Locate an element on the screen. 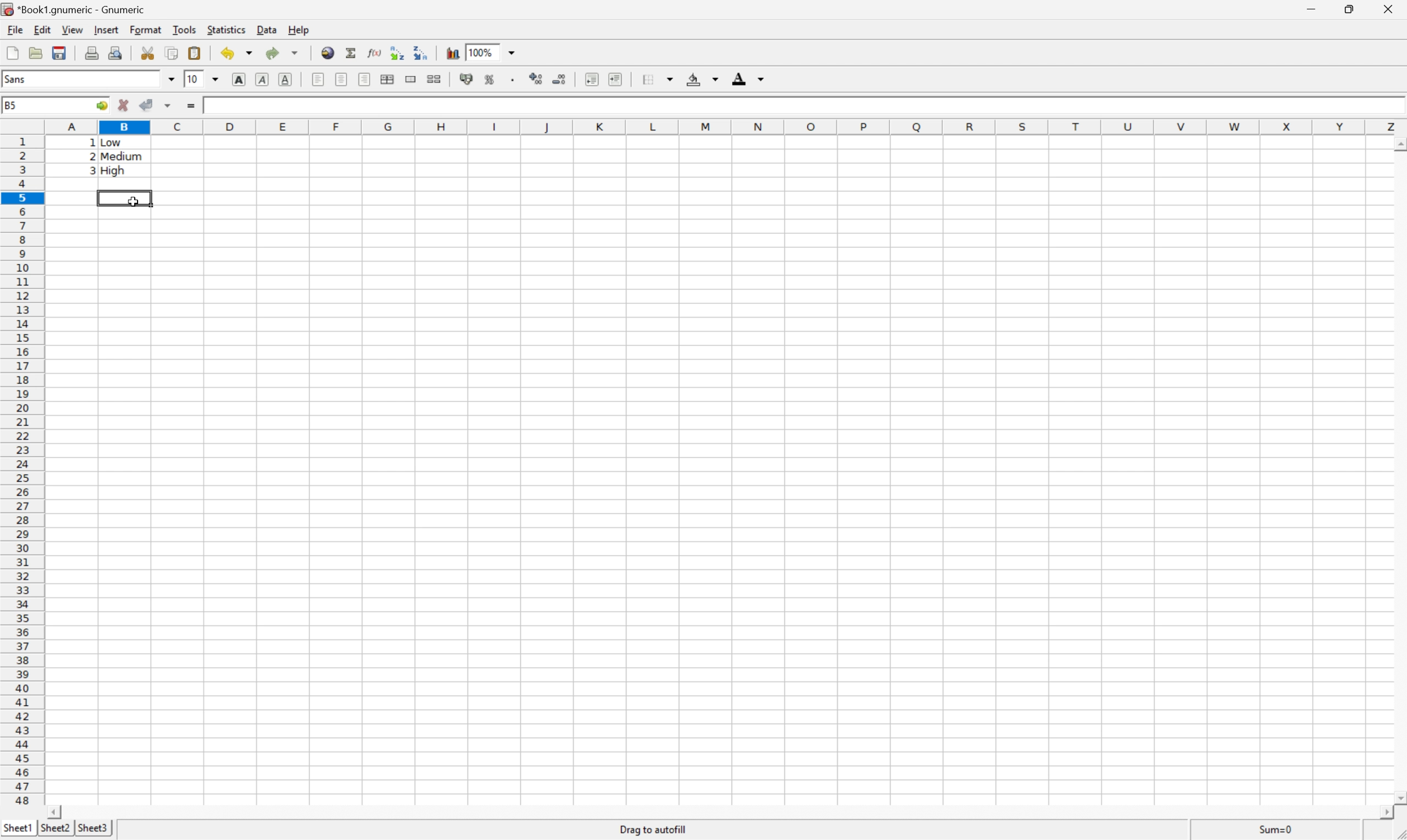 The width and height of the screenshot is (1407, 840). Cursor is located at coordinates (136, 199).